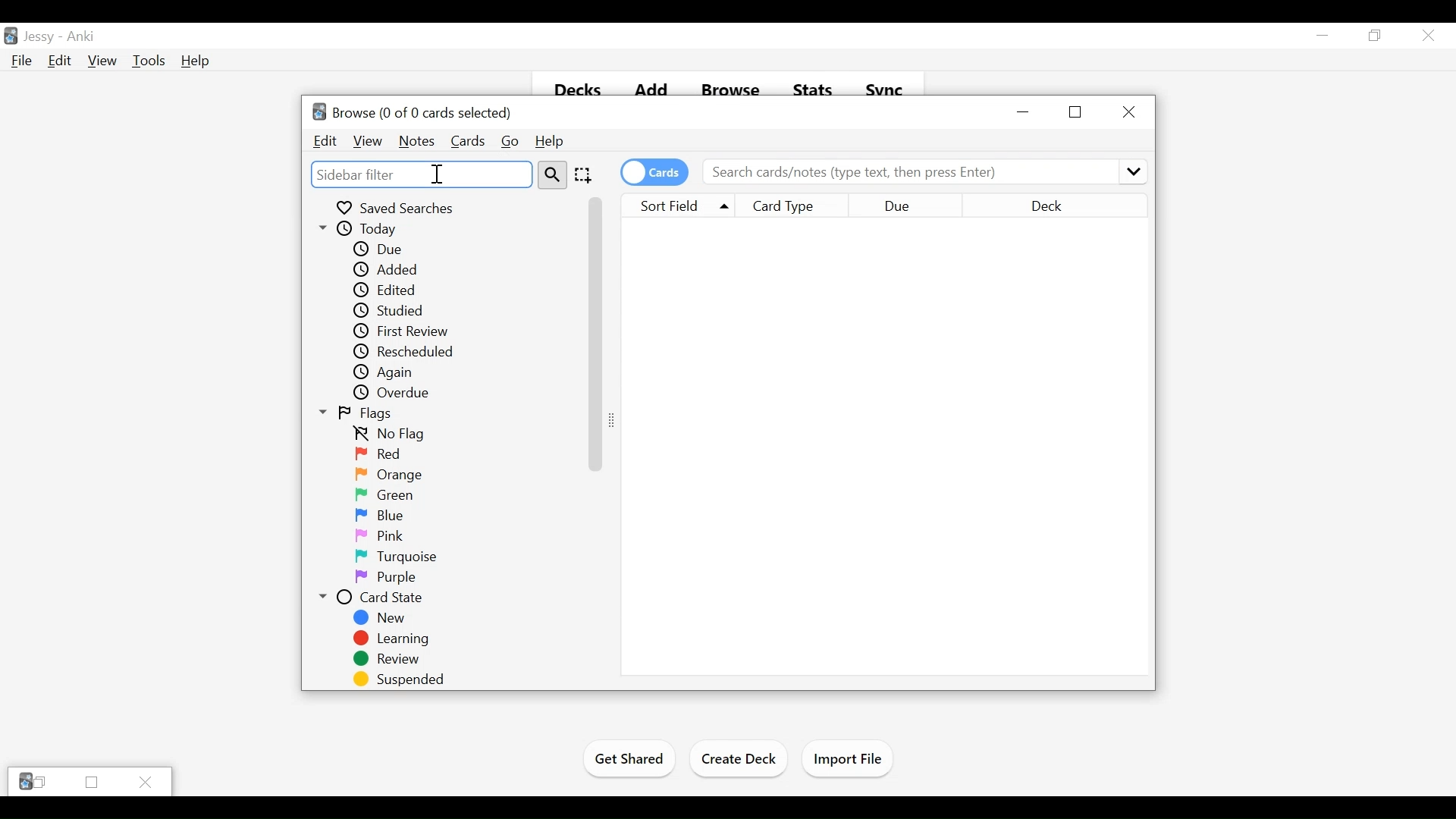  I want to click on Anki Desktop Icon, so click(11, 36).